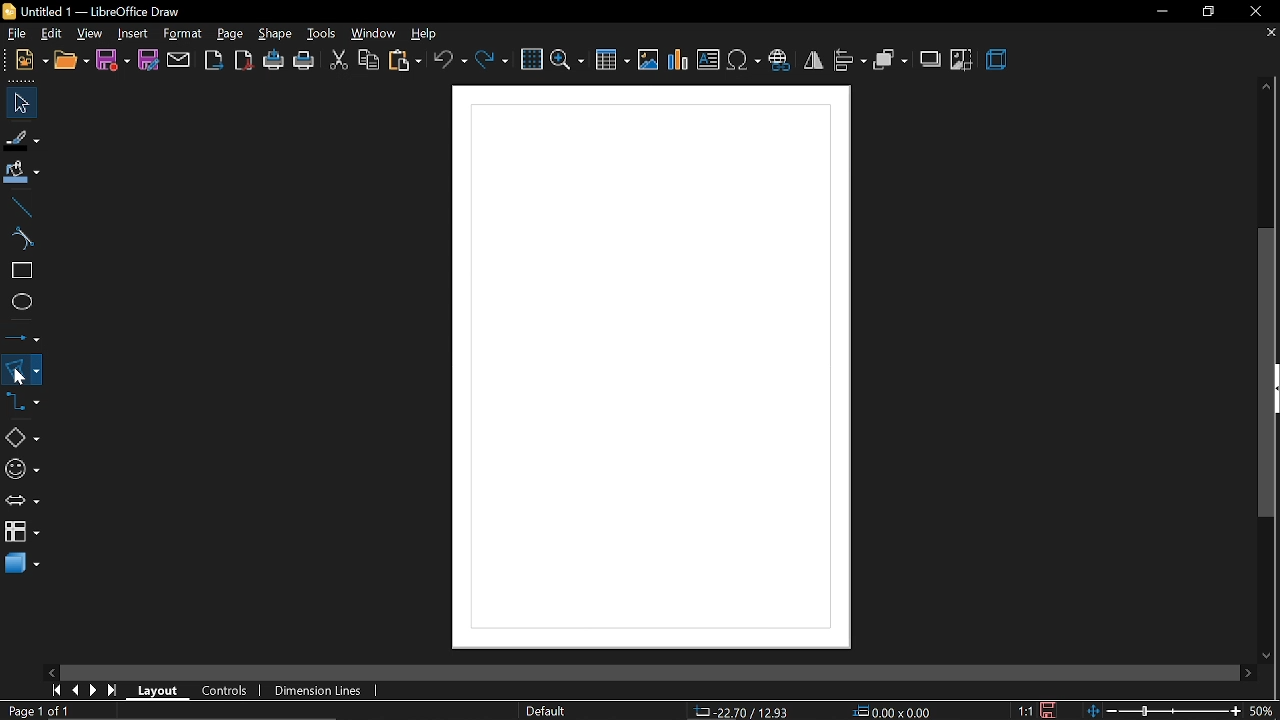 Image resolution: width=1280 pixels, height=720 pixels. Describe the element at coordinates (648, 369) in the screenshot. I see `Canvas` at that location.